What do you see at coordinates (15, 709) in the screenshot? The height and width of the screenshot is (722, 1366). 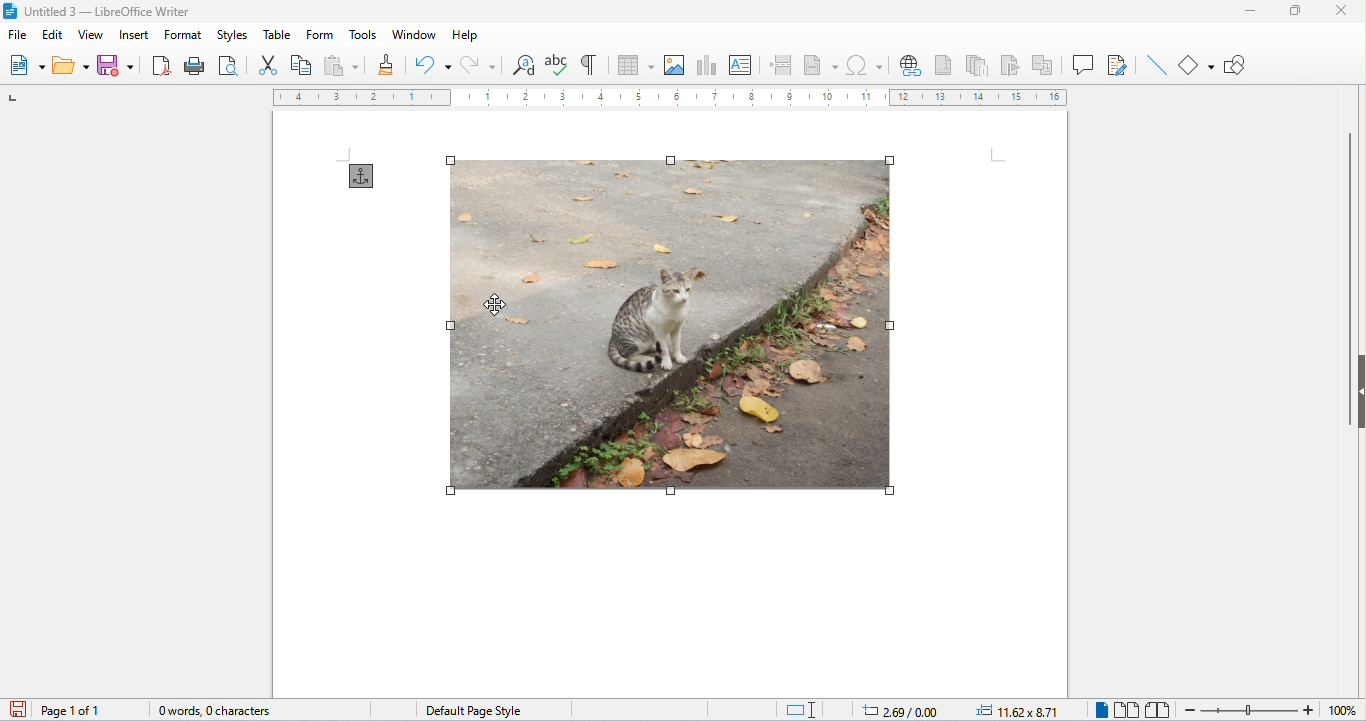 I see `save` at bounding box center [15, 709].